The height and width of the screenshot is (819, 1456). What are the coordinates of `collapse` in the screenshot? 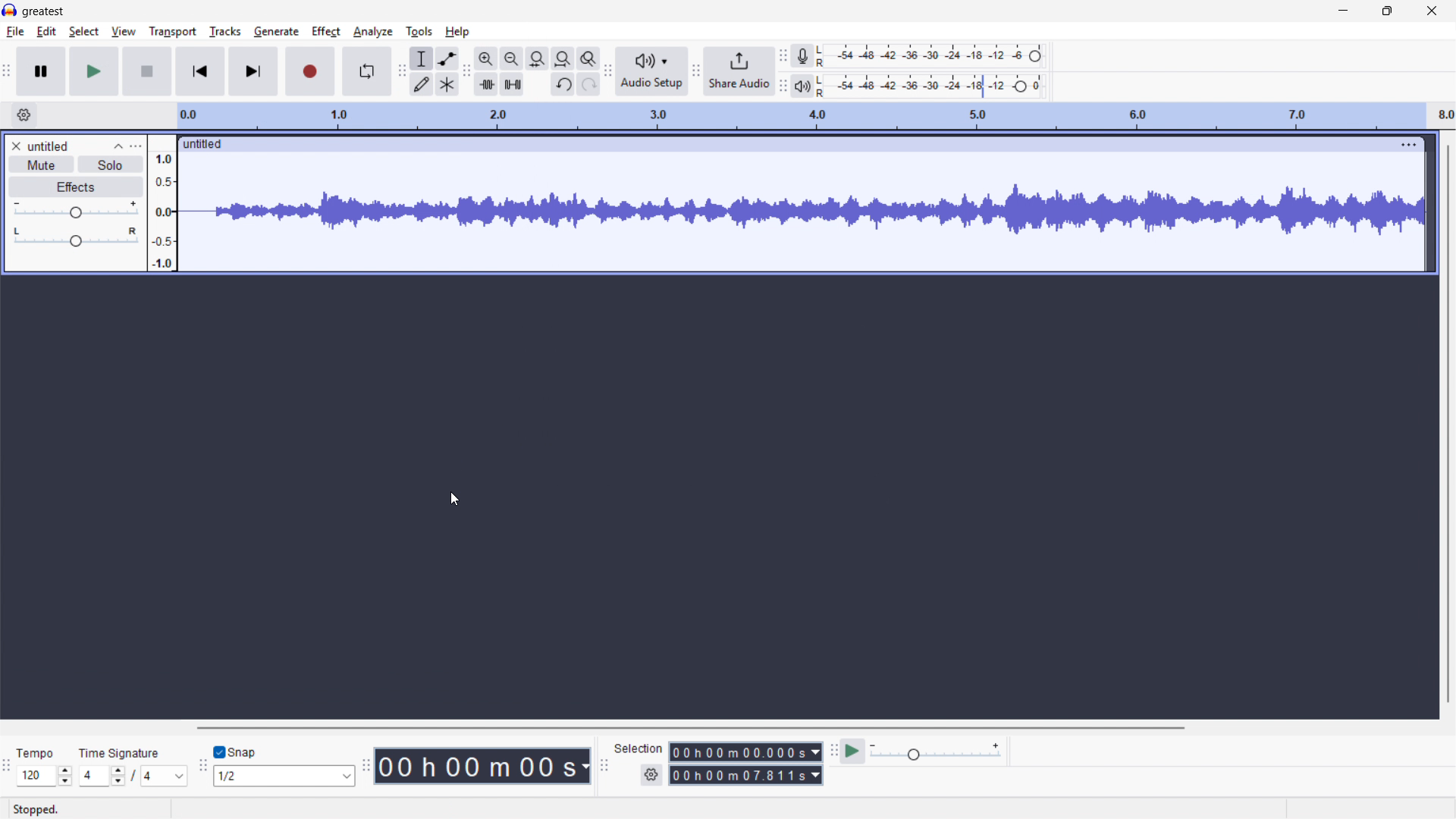 It's located at (118, 146).